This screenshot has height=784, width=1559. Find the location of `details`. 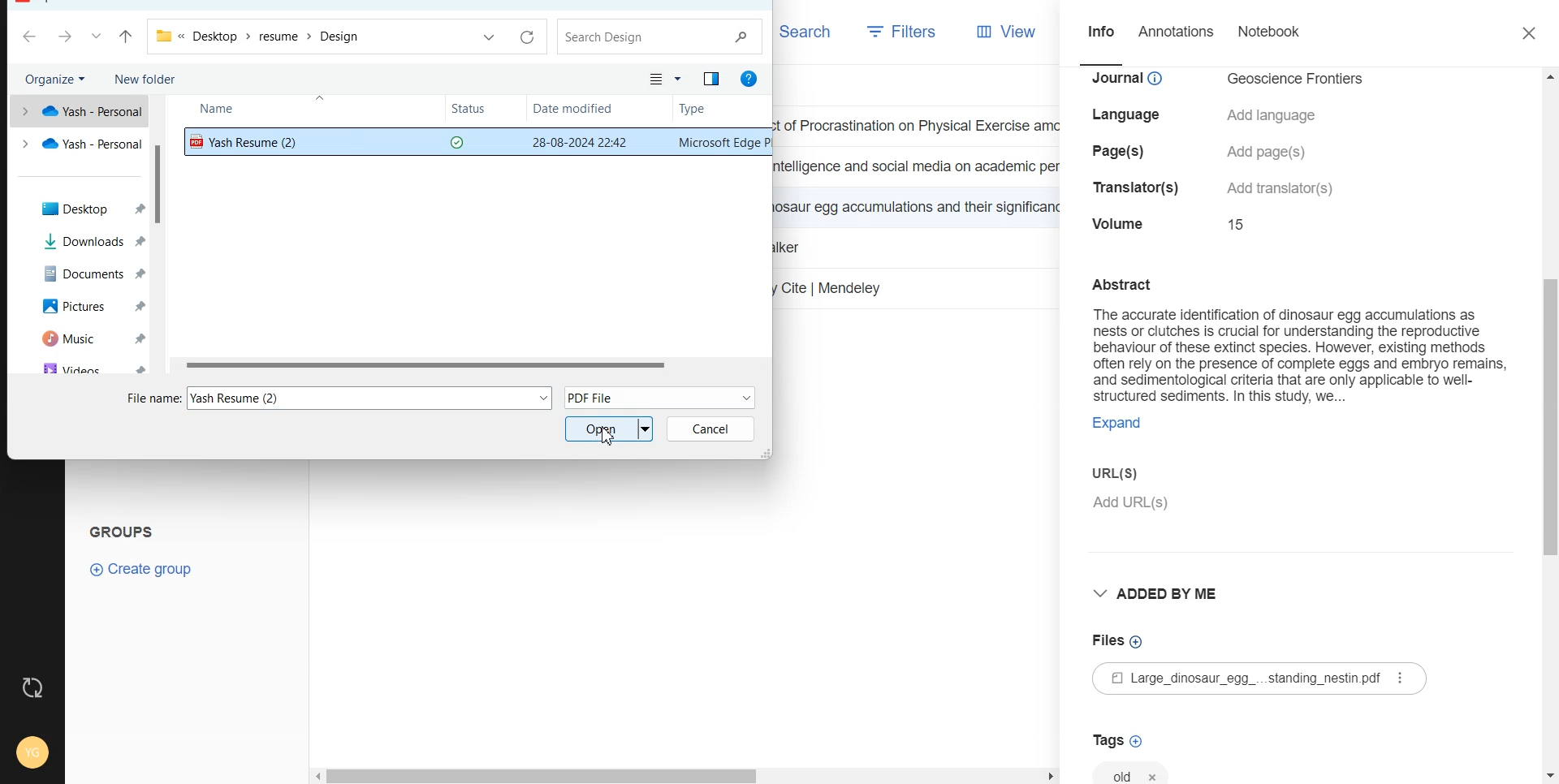

details is located at coordinates (1120, 152).